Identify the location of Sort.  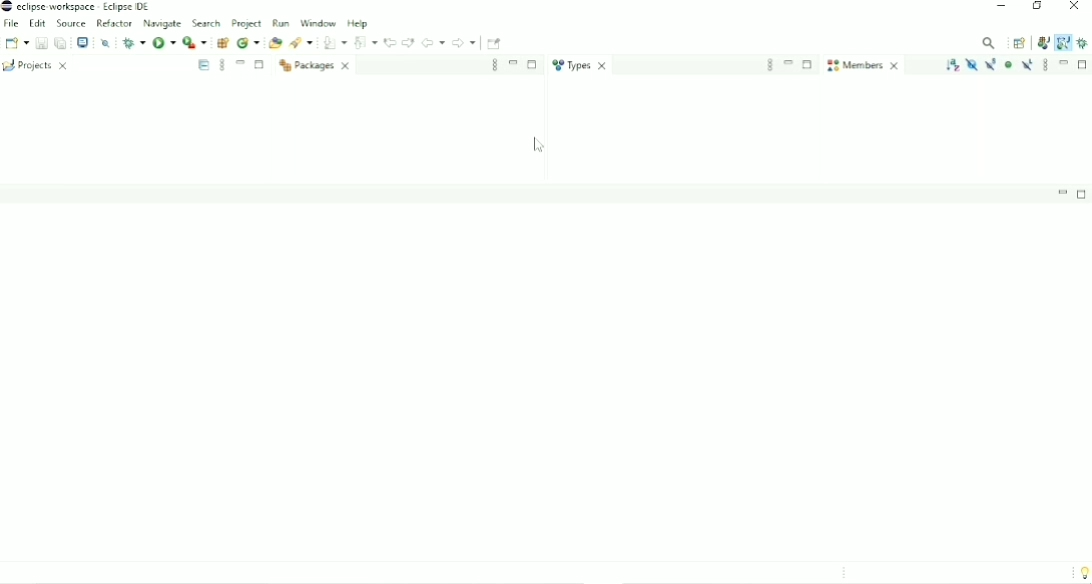
(952, 64).